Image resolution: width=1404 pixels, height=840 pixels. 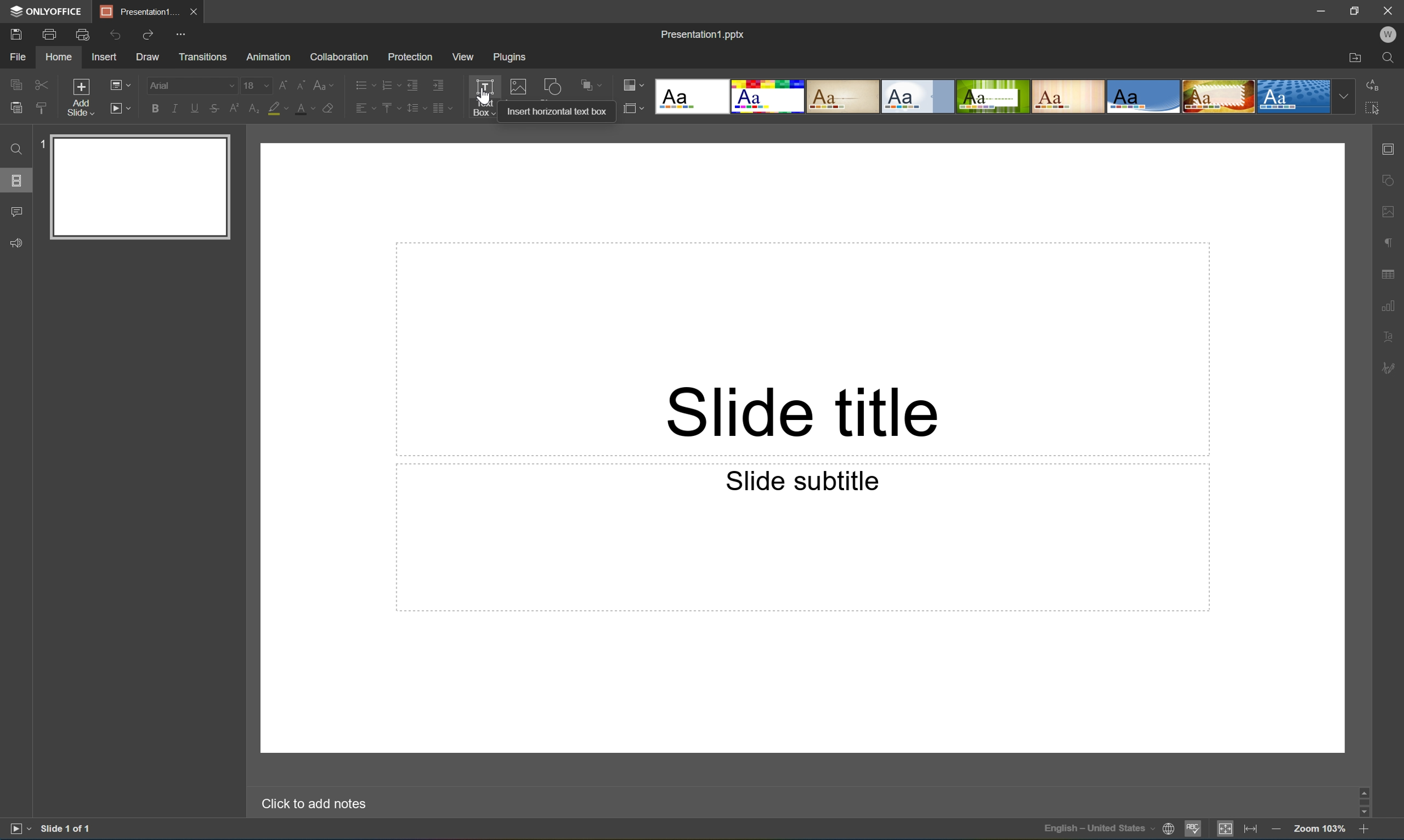 I want to click on Collaboration, so click(x=337, y=56).